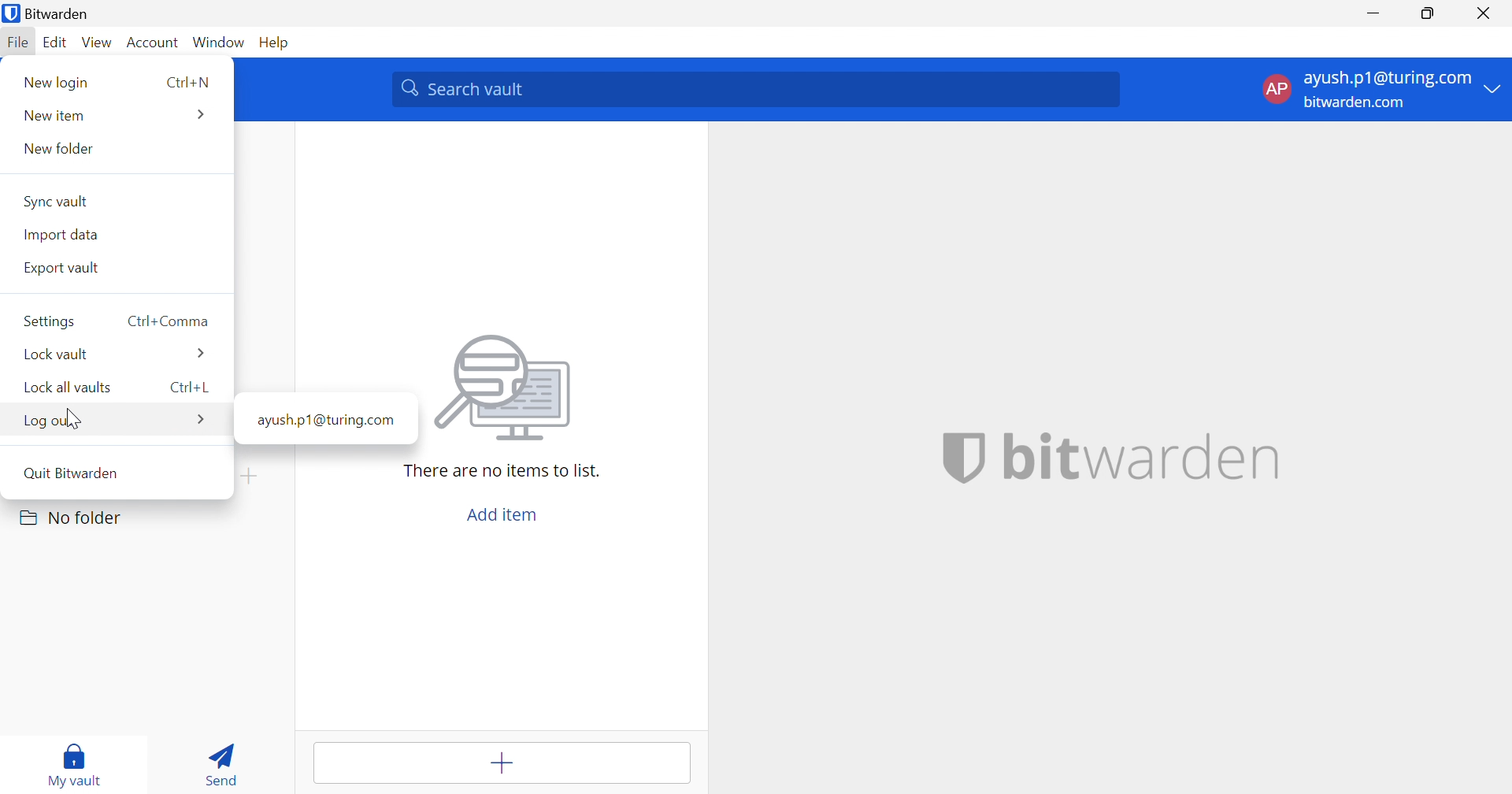 Image resolution: width=1512 pixels, height=794 pixels. I want to click on Import data, so click(60, 234).